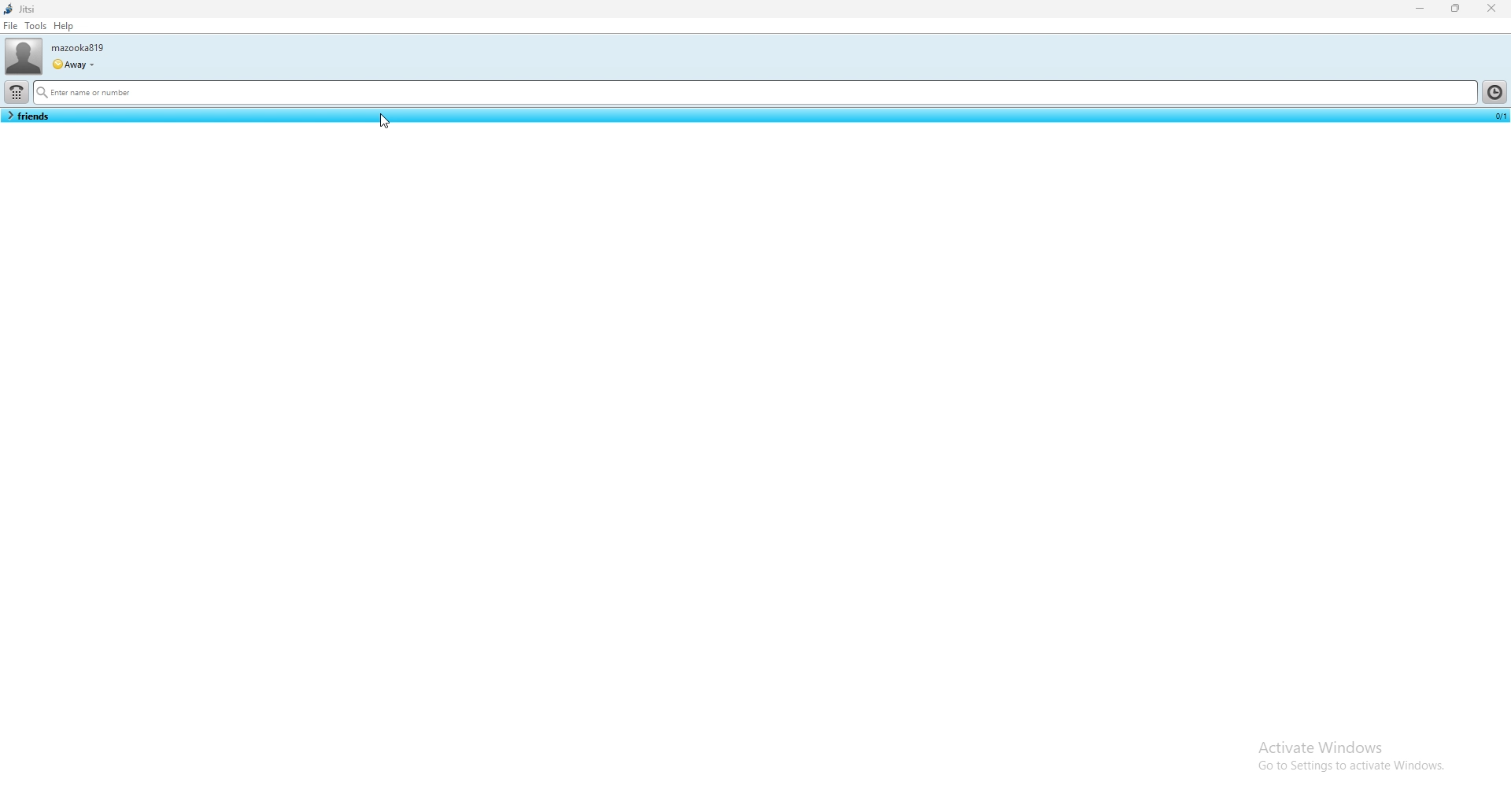  What do you see at coordinates (63, 26) in the screenshot?
I see `help` at bounding box center [63, 26].